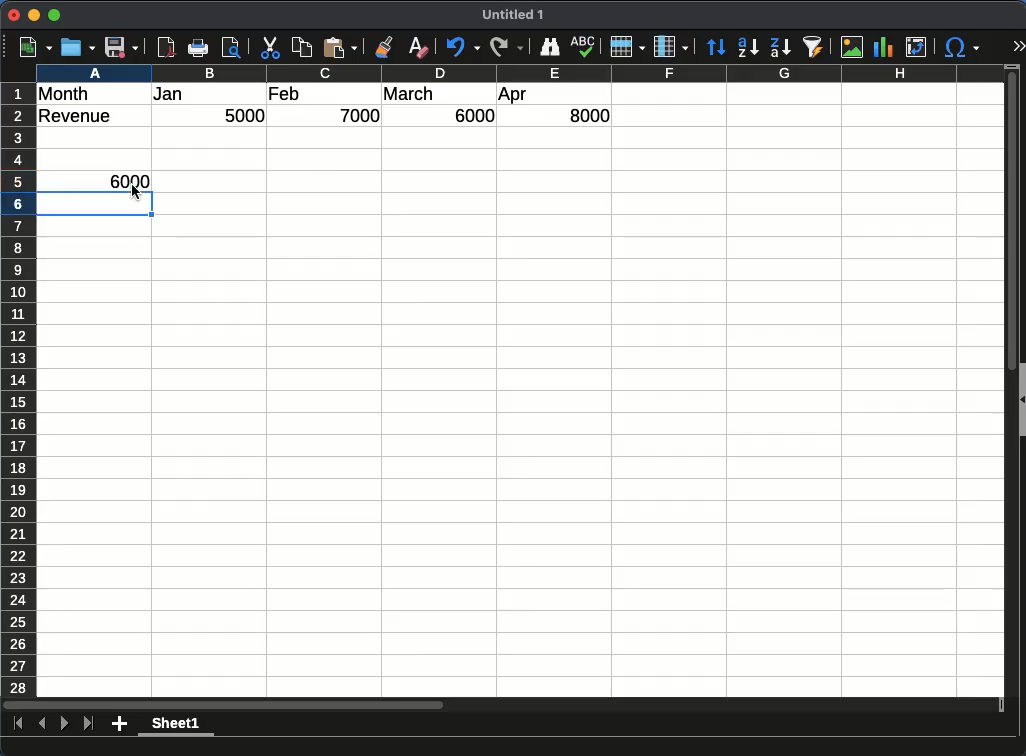 The image size is (1026, 756). What do you see at coordinates (851, 47) in the screenshot?
I see `image` at bounding box center [851, 47].